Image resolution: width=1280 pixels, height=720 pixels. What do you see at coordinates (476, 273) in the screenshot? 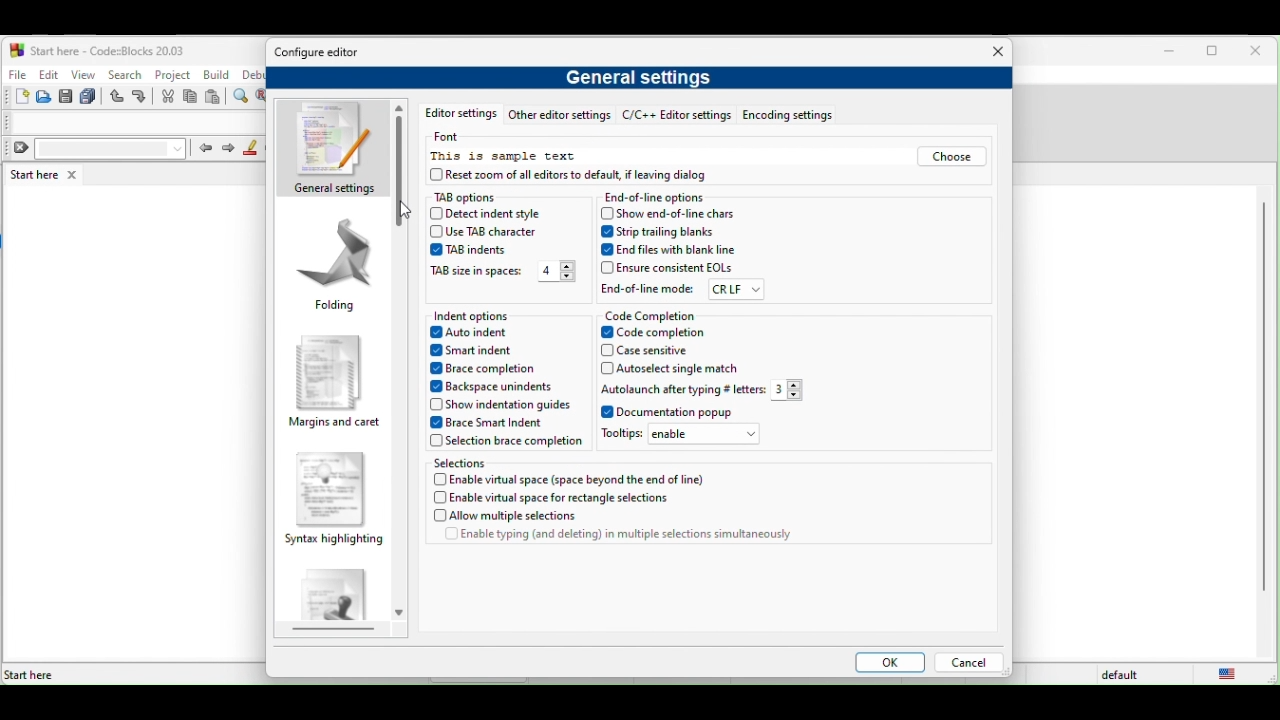
I see `tab size` at bounding box center [476, 273].